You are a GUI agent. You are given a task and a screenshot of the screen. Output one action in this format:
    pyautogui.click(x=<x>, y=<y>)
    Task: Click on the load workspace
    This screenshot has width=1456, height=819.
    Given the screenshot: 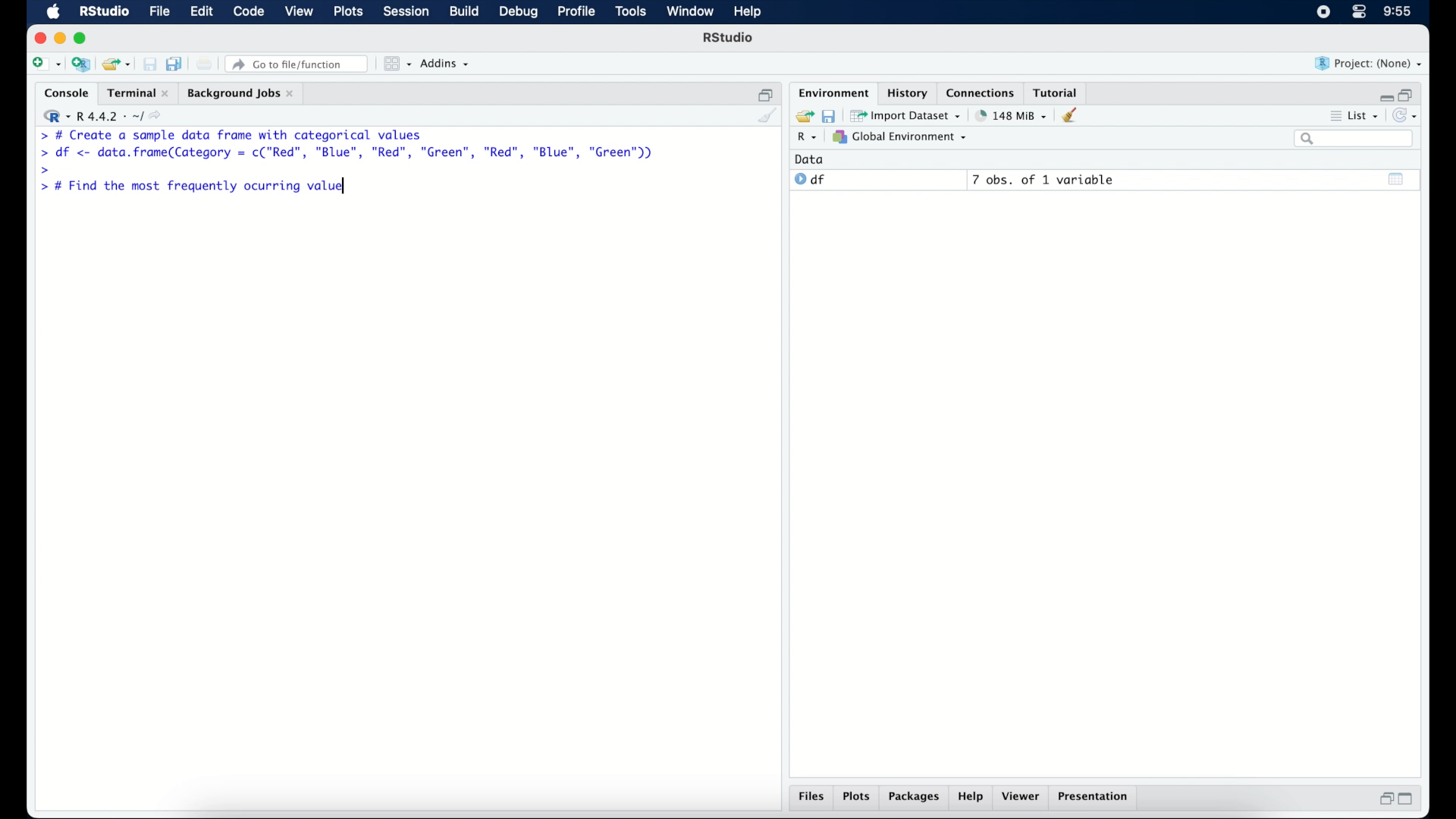 What is the action you would take?
    pyautogui.click(x=802, y=114)
    